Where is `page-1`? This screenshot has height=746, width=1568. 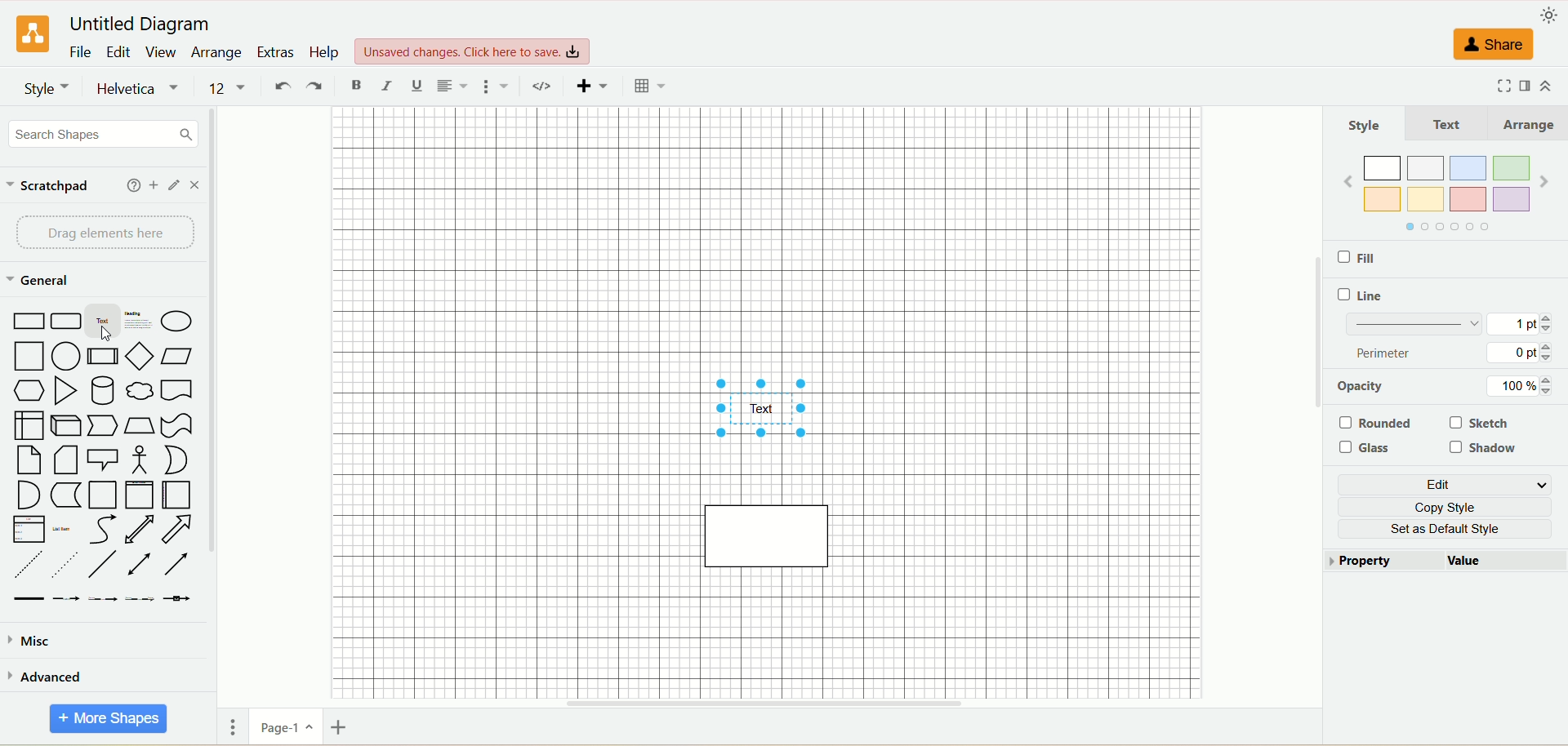
page-1 is located at coordinates (285, 730).